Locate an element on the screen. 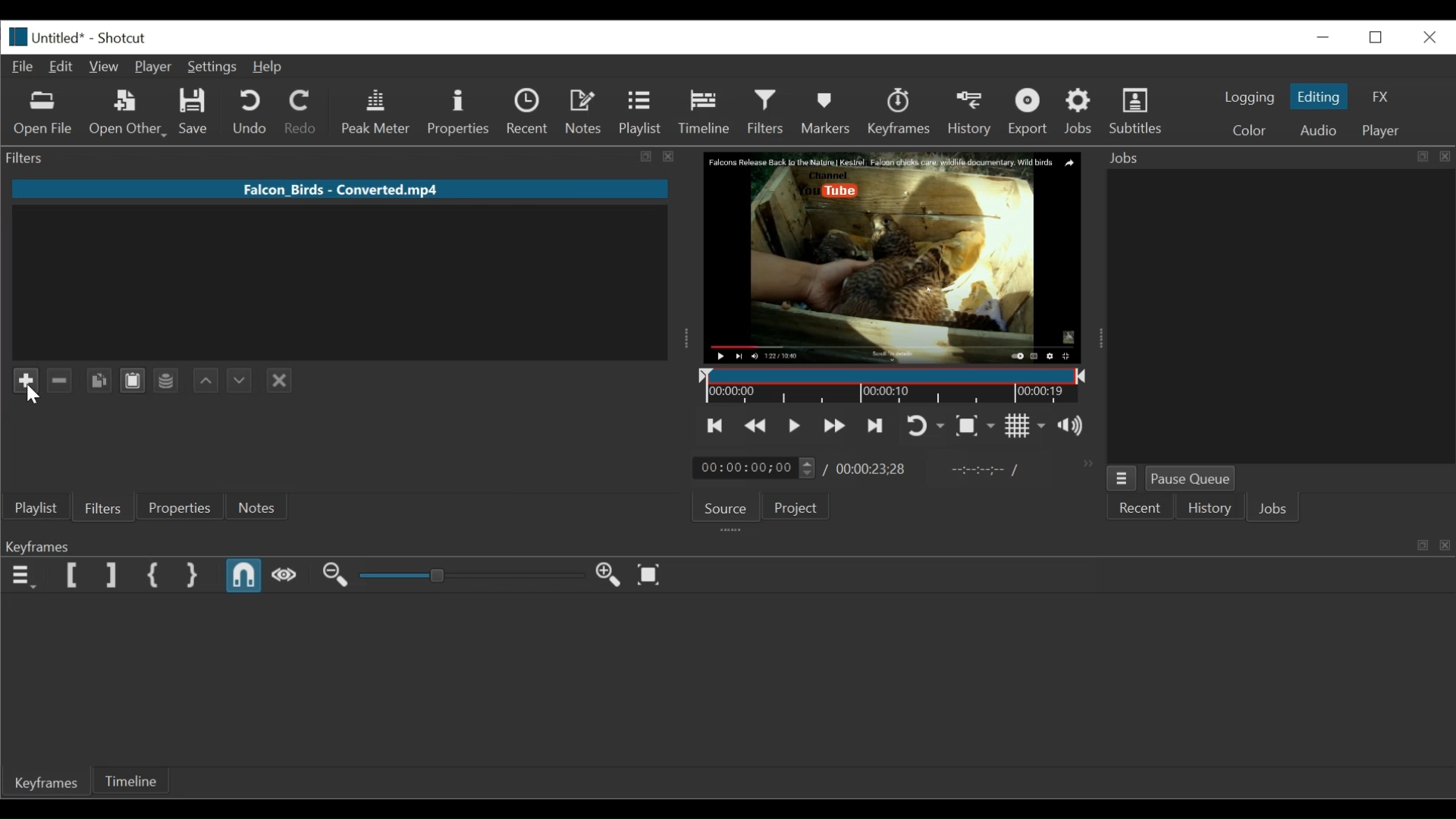  Toggle zoom is located at coordinates (977, 426).